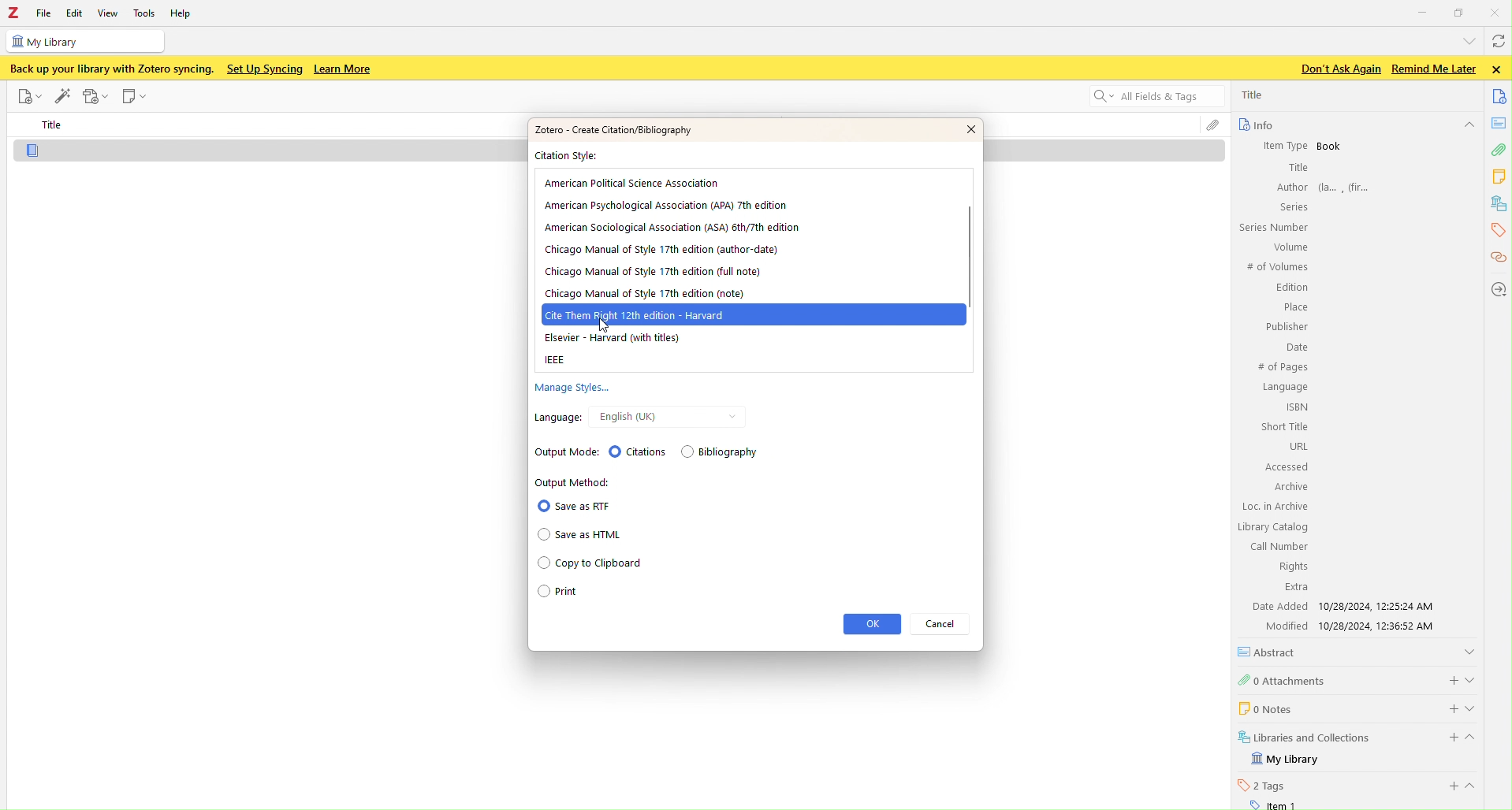 This screenshot has width=1512, height=810. What do you see at coordinates (1449, 678) in the screenshot?
I see `add` at bounding box center [1449, 678].